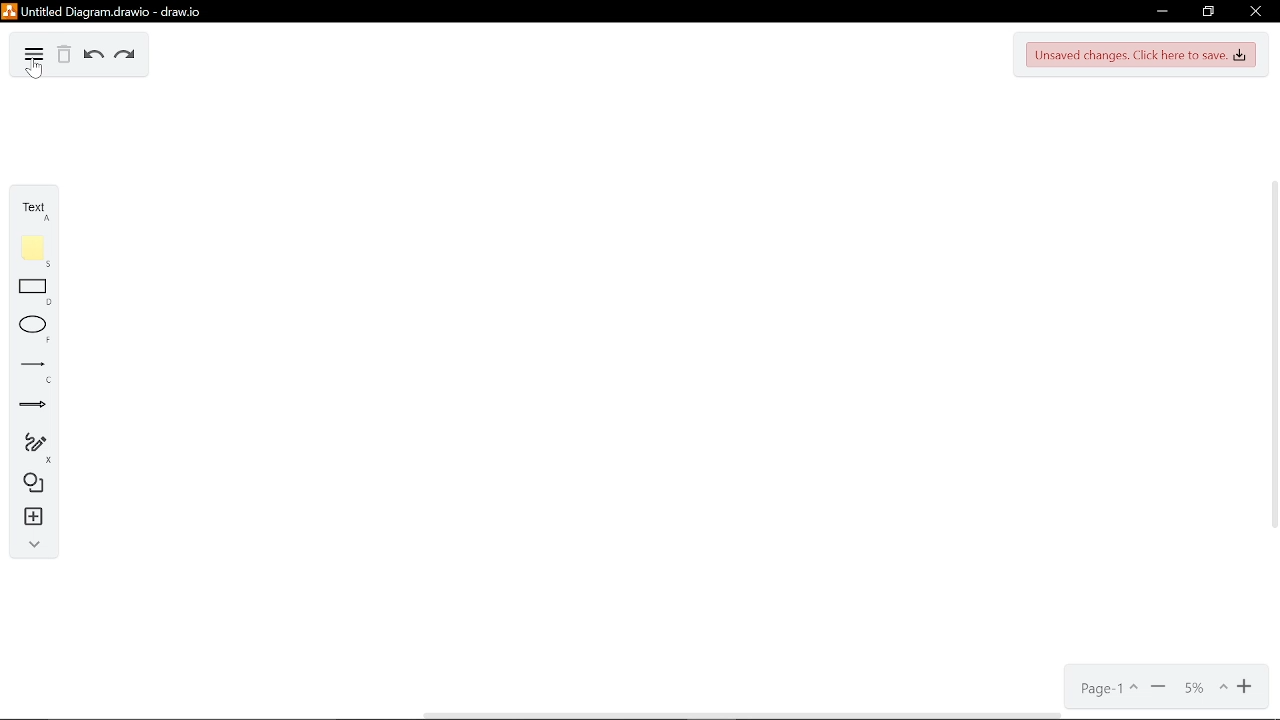  I want to click on  zoom options, so click(1198, 684).